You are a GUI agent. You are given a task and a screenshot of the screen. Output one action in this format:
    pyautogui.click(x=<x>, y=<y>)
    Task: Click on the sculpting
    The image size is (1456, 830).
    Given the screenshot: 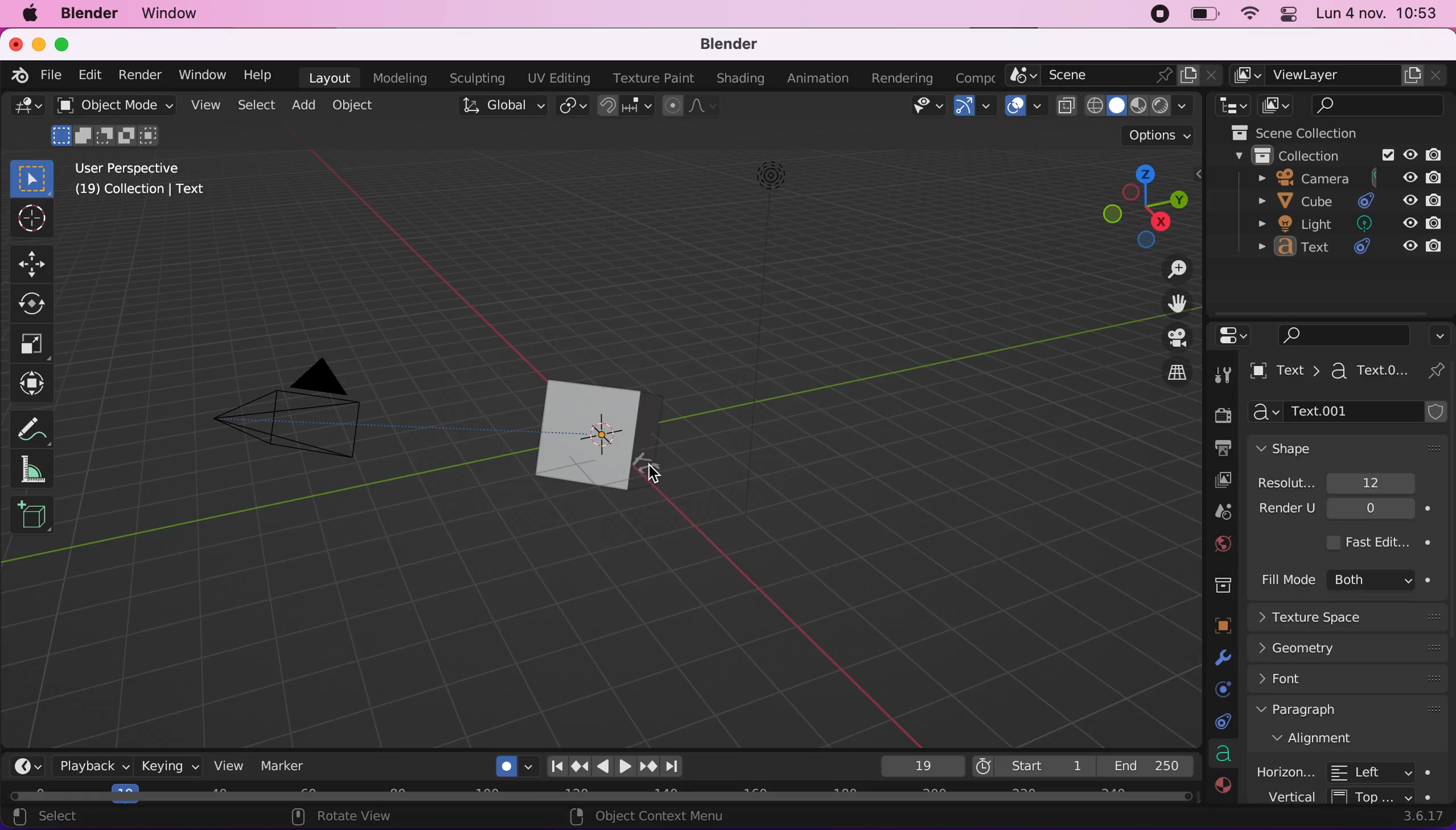 What is the action you would take?
    pyautogui.click(x=480, y=79)
    